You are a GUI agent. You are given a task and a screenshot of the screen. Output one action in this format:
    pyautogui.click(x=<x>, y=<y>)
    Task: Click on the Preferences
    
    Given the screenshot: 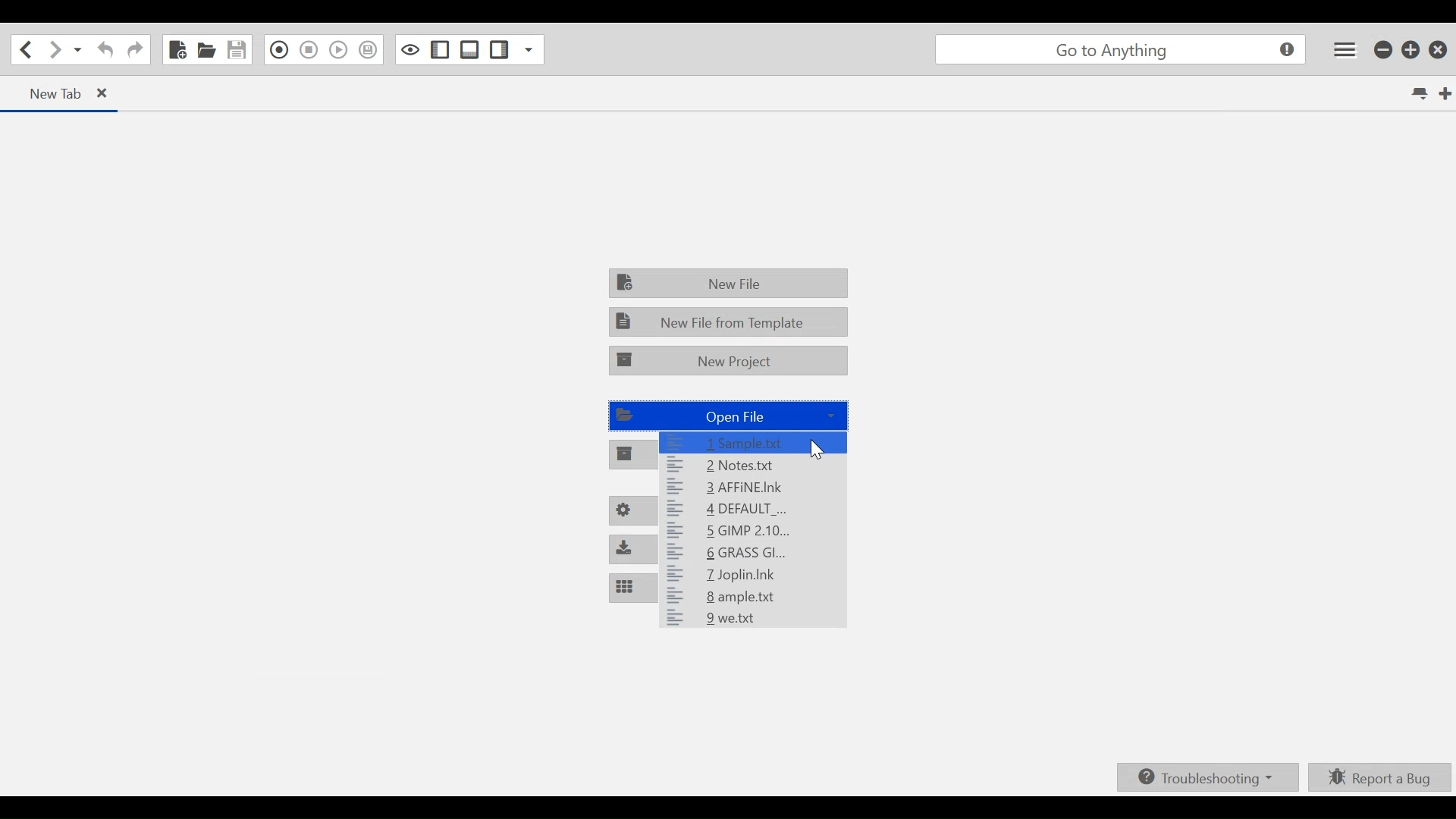 What is the action you would take?
    pyautogui.click(x=629, y=511)
    